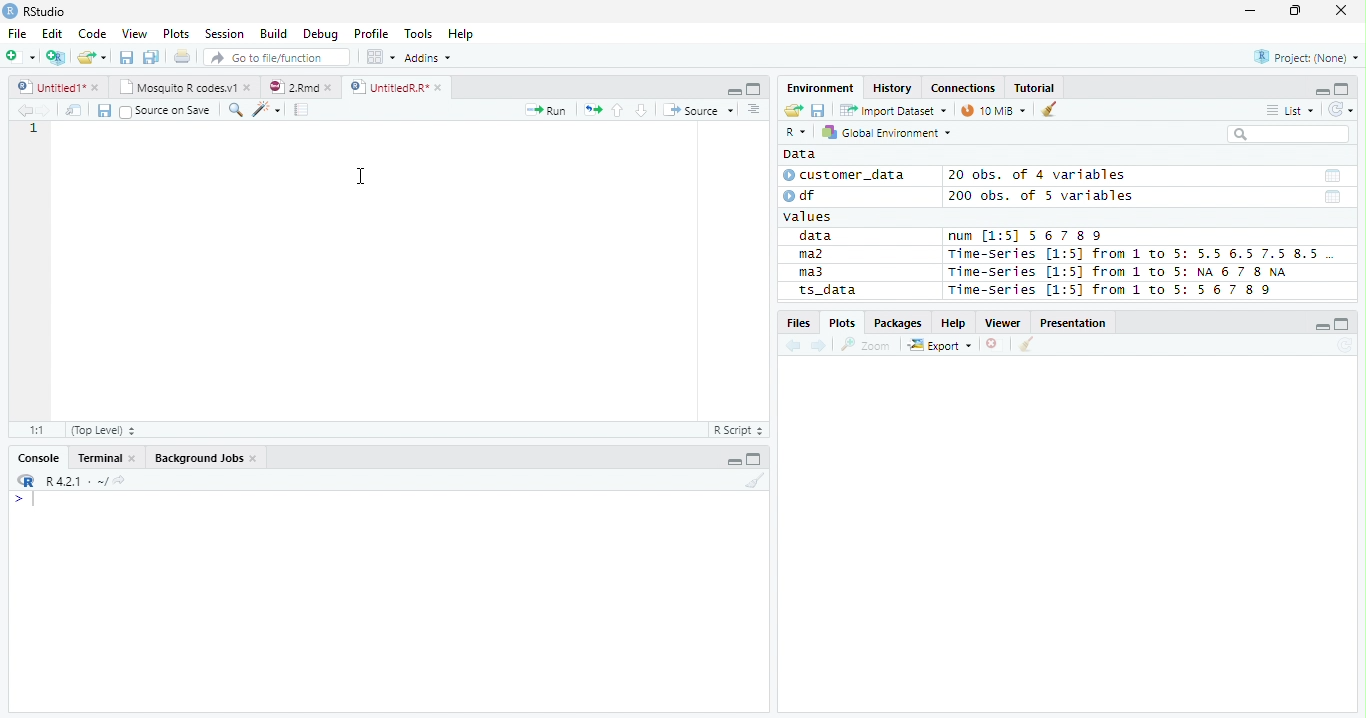 The width and height of the screenshot is (1366, 718). What do you see at coordinates (126, 56) in the screenshot?
I see `Save` at bounding box center [126, 56].